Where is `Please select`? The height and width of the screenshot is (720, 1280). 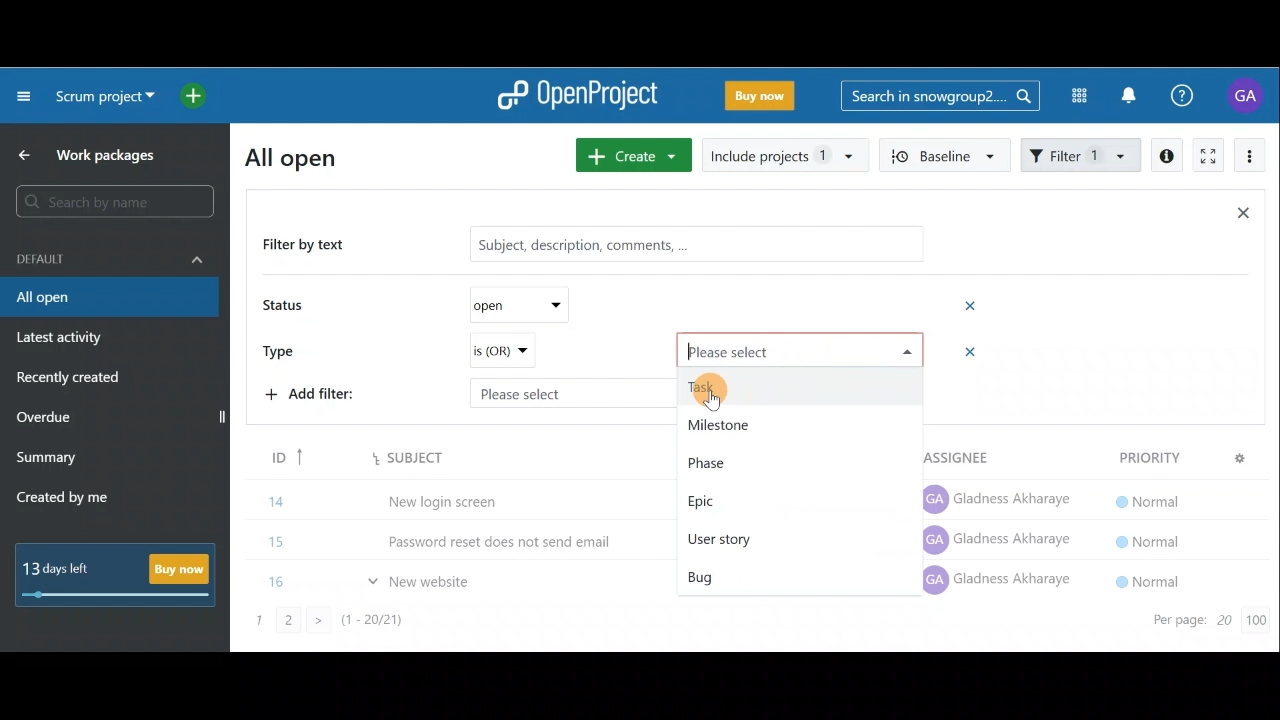 Please select is located at coordinates (533, 391).